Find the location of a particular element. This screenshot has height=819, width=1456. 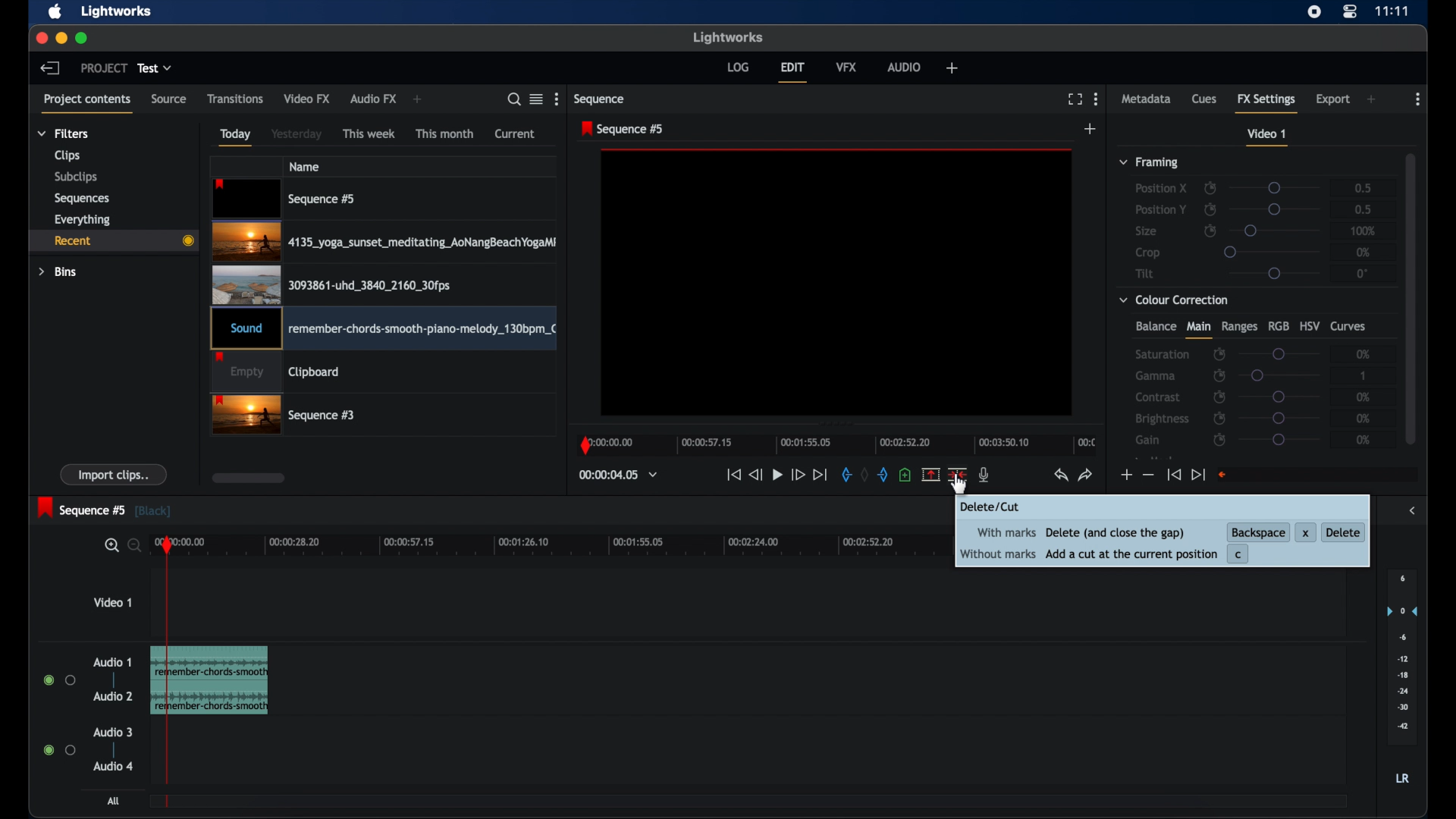

add is located at coordinates (952, 67).